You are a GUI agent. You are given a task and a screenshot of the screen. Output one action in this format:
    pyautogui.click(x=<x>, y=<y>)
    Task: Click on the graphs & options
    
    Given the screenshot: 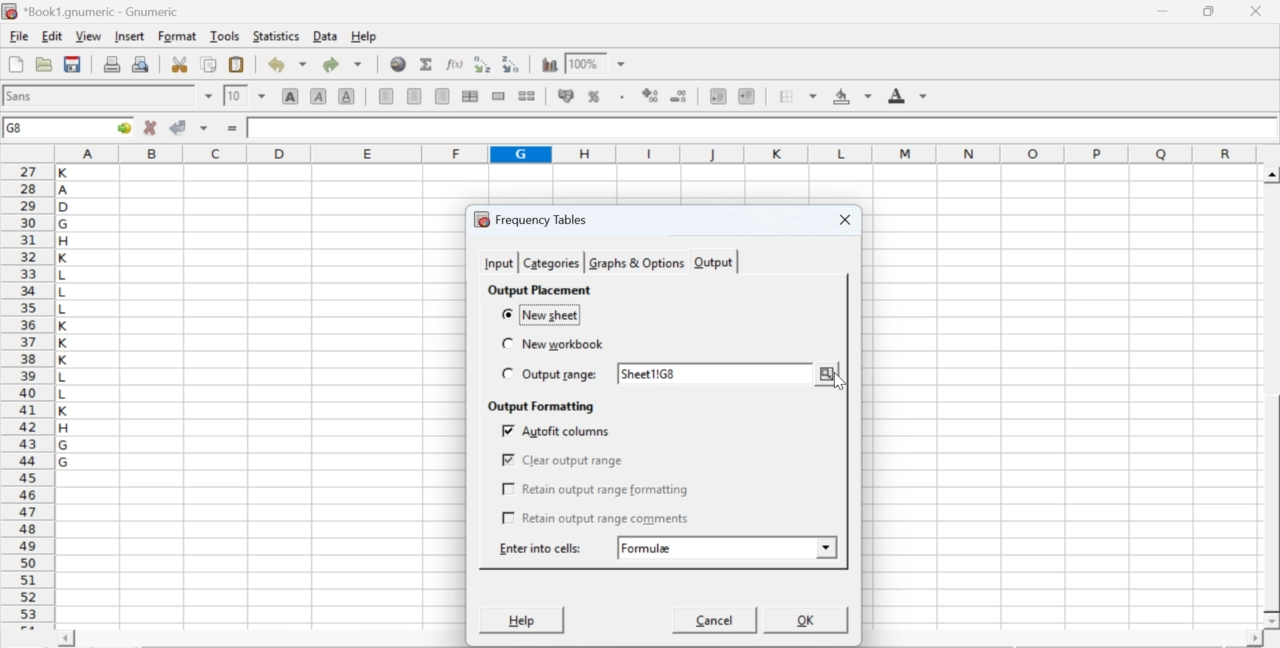 What is the action you would take?
    pyautogui.click(x=635, y=263)
    